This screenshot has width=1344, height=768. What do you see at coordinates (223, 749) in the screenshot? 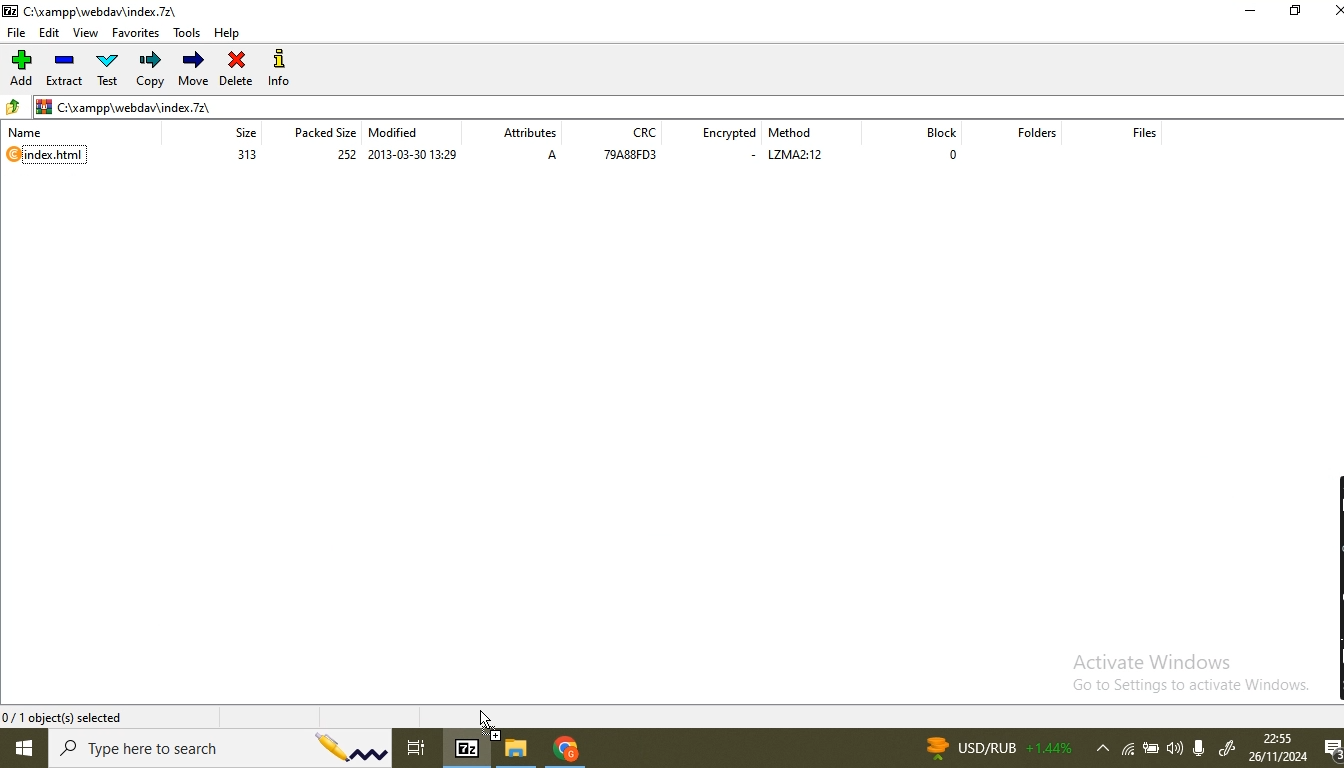
I see `search bar` at bounding box center [223, 749].